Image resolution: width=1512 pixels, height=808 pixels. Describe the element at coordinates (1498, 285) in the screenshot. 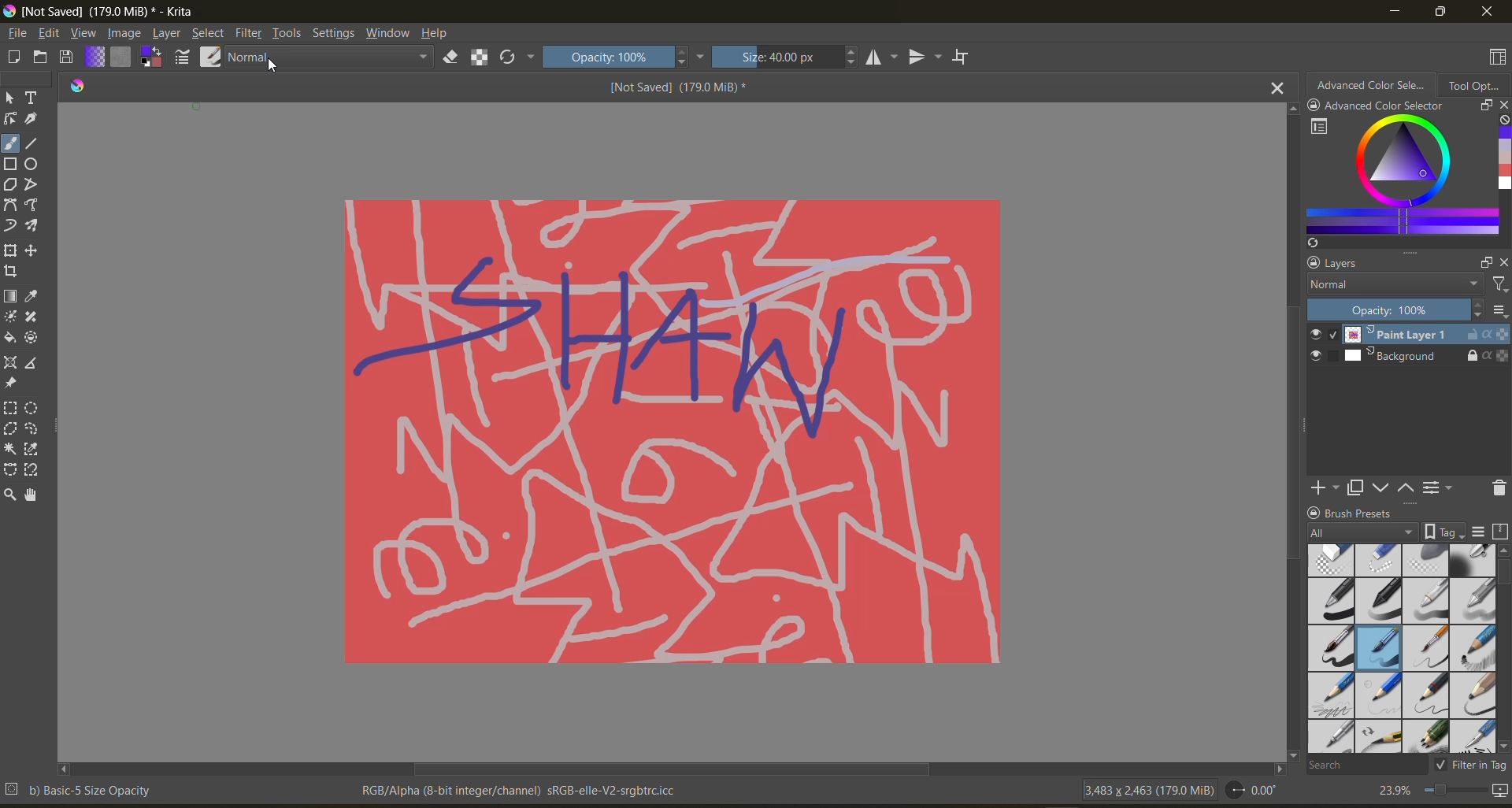

I see `filters` at that location.